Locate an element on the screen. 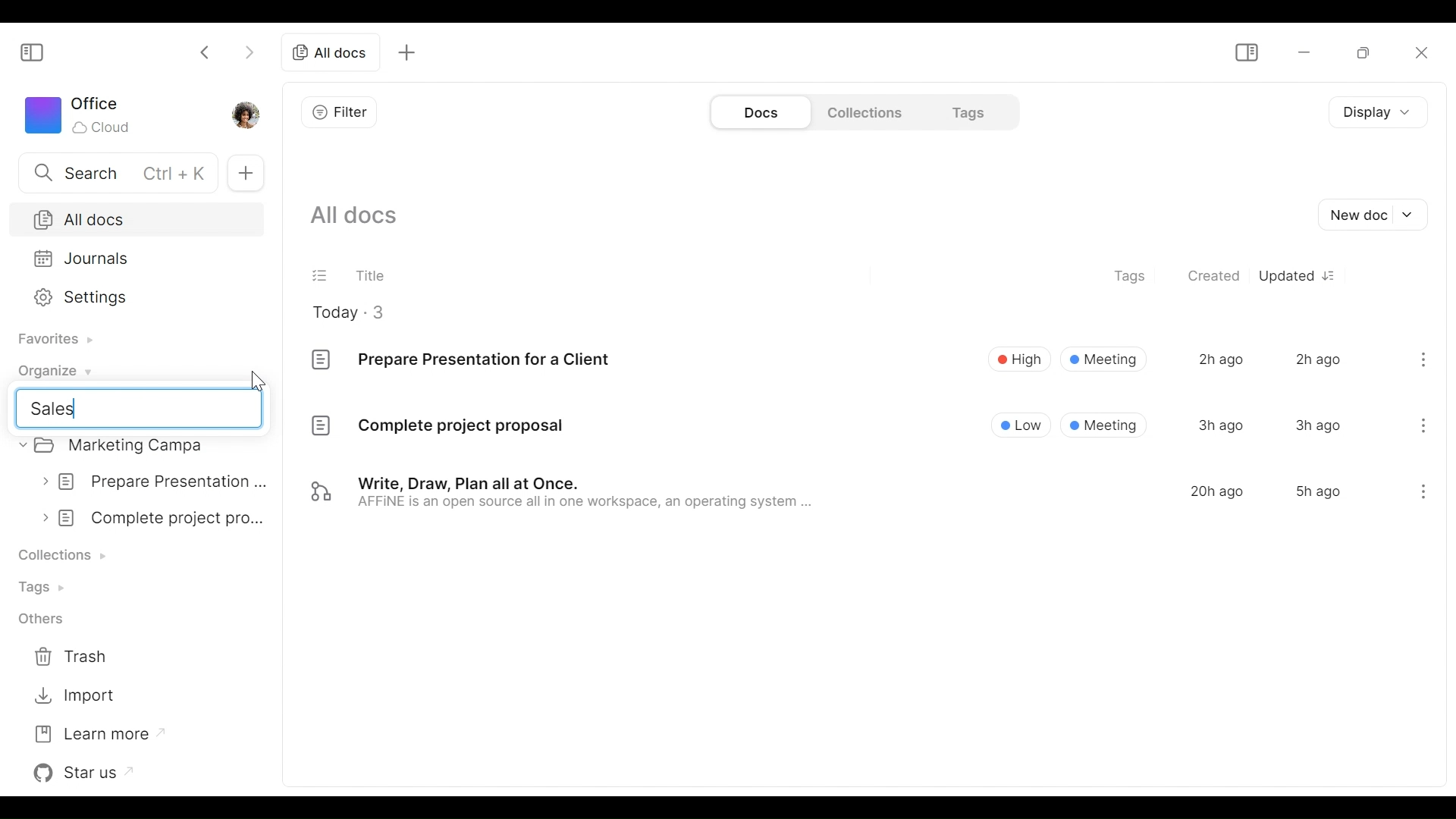  Updated is located at coordinates (1286, 275).